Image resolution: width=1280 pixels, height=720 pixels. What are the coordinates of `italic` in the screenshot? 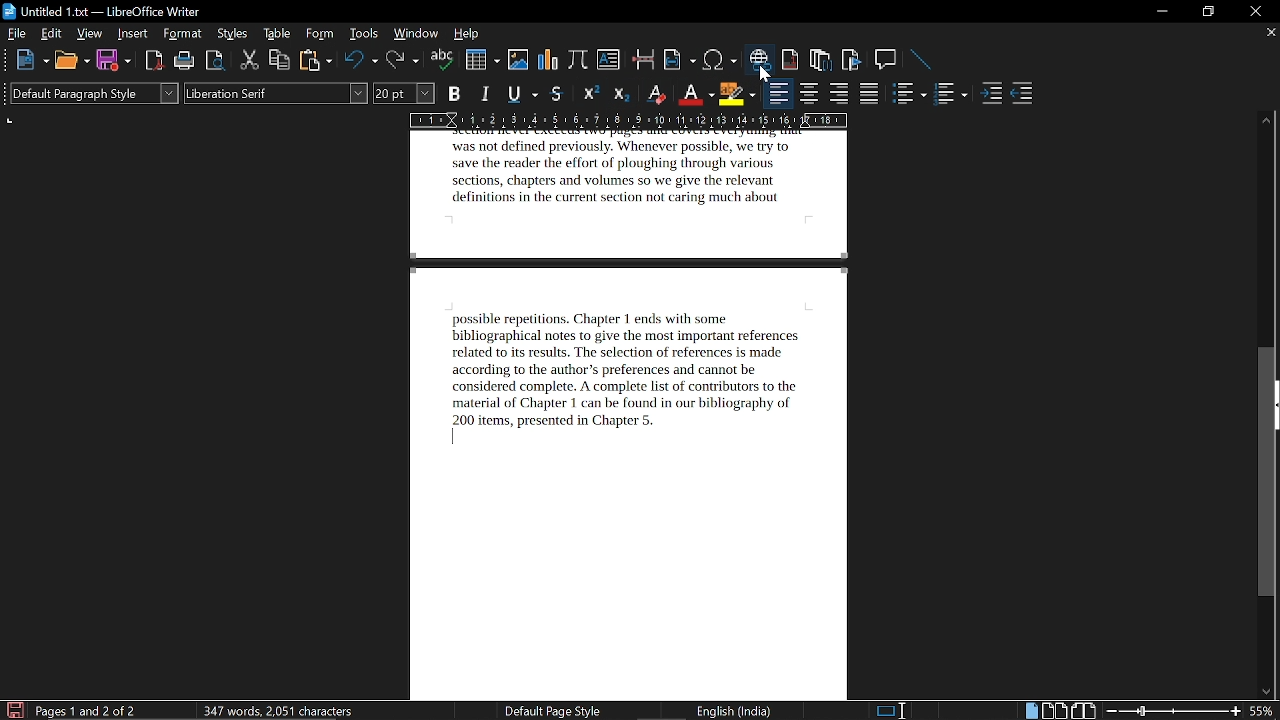 It's located at (488, 92).